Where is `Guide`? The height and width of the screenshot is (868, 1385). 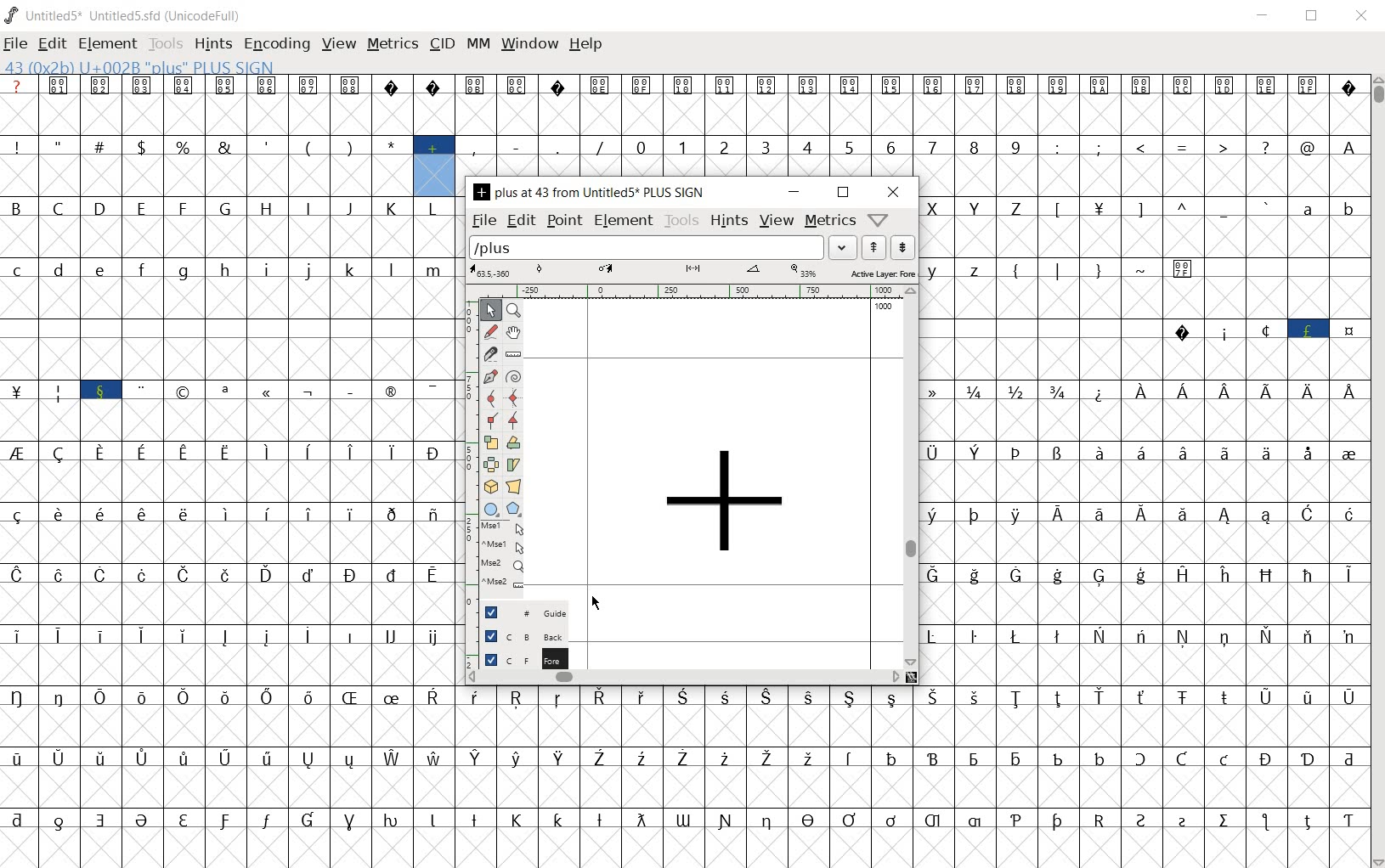
Guide is located at coordinates (519, 611).